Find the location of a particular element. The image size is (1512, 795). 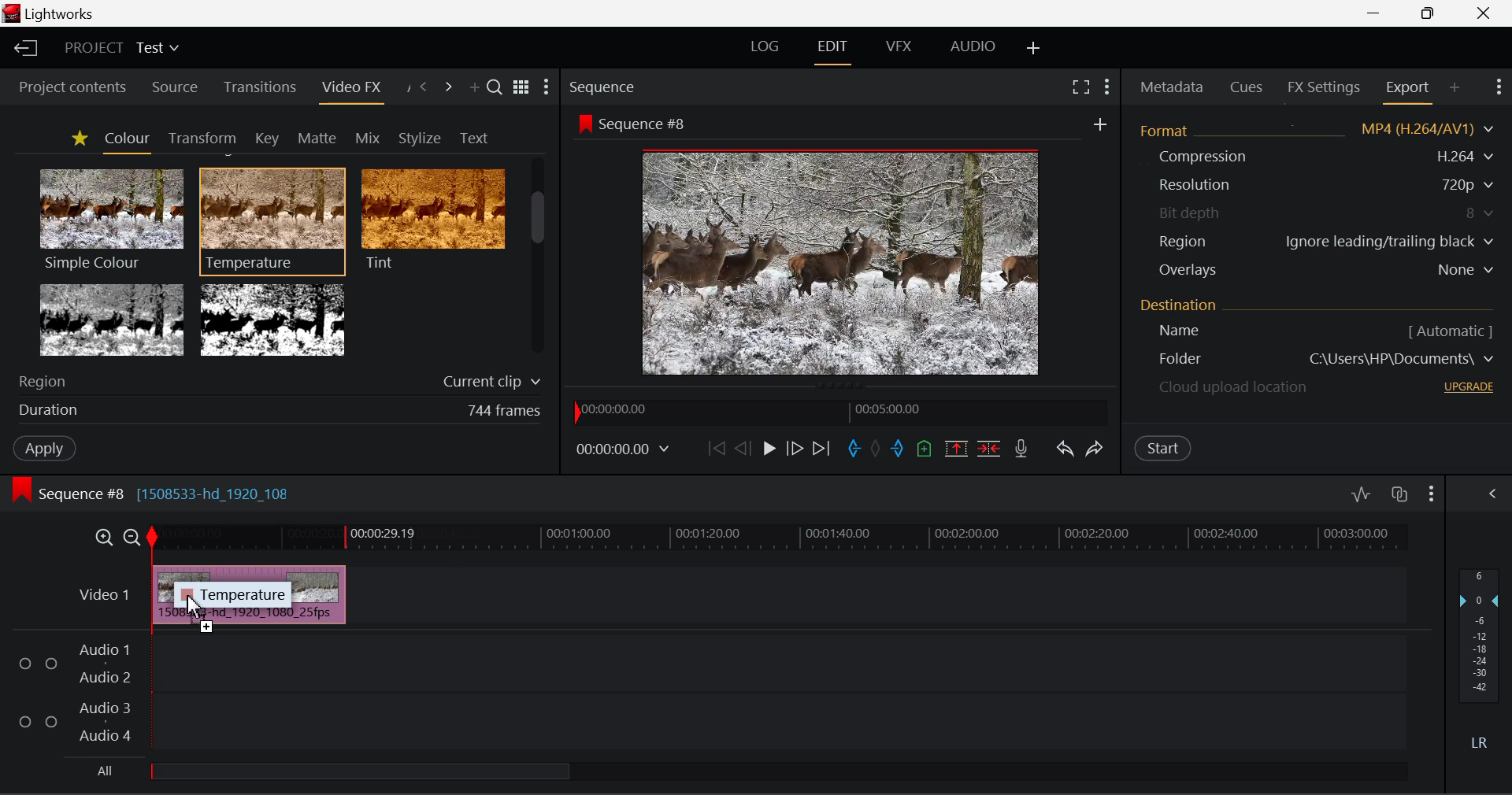

Colour is located at coordinates (124, 139).